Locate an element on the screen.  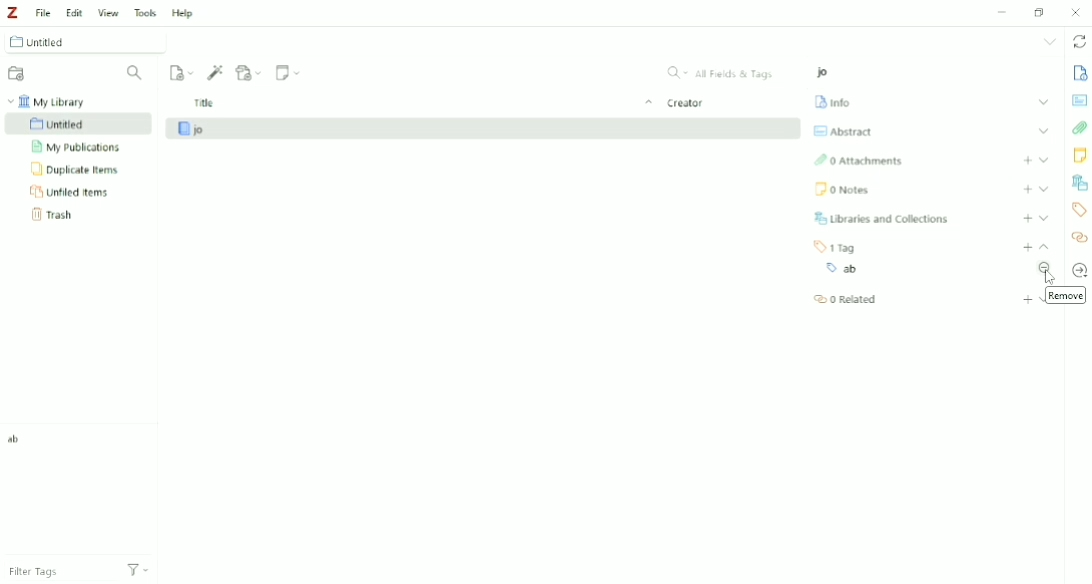
Remove is located at coordinates (1064, 295).